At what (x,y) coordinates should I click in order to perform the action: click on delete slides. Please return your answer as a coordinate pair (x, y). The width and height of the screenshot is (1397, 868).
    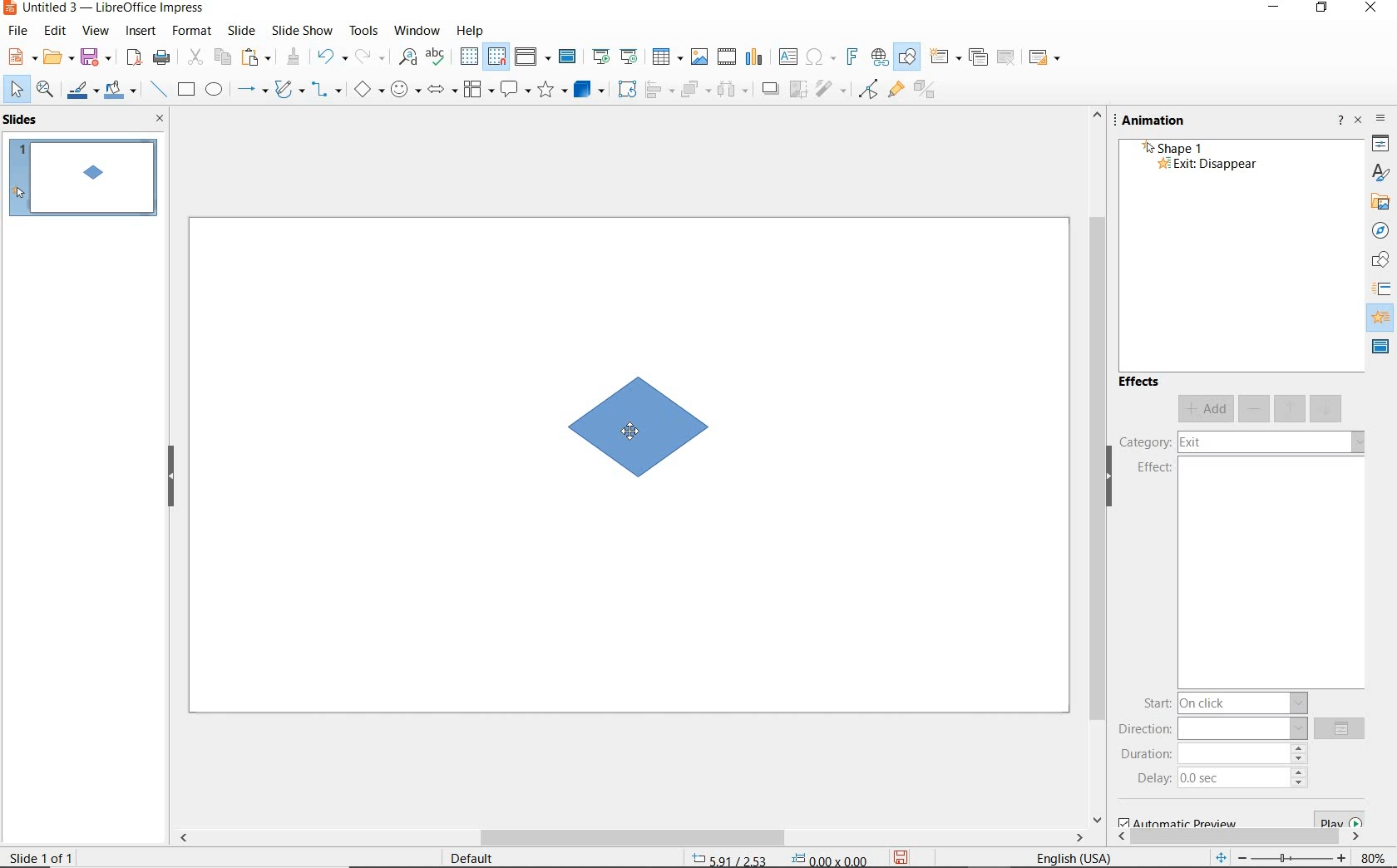
    Looking at the image, I should click on (1007, 57).